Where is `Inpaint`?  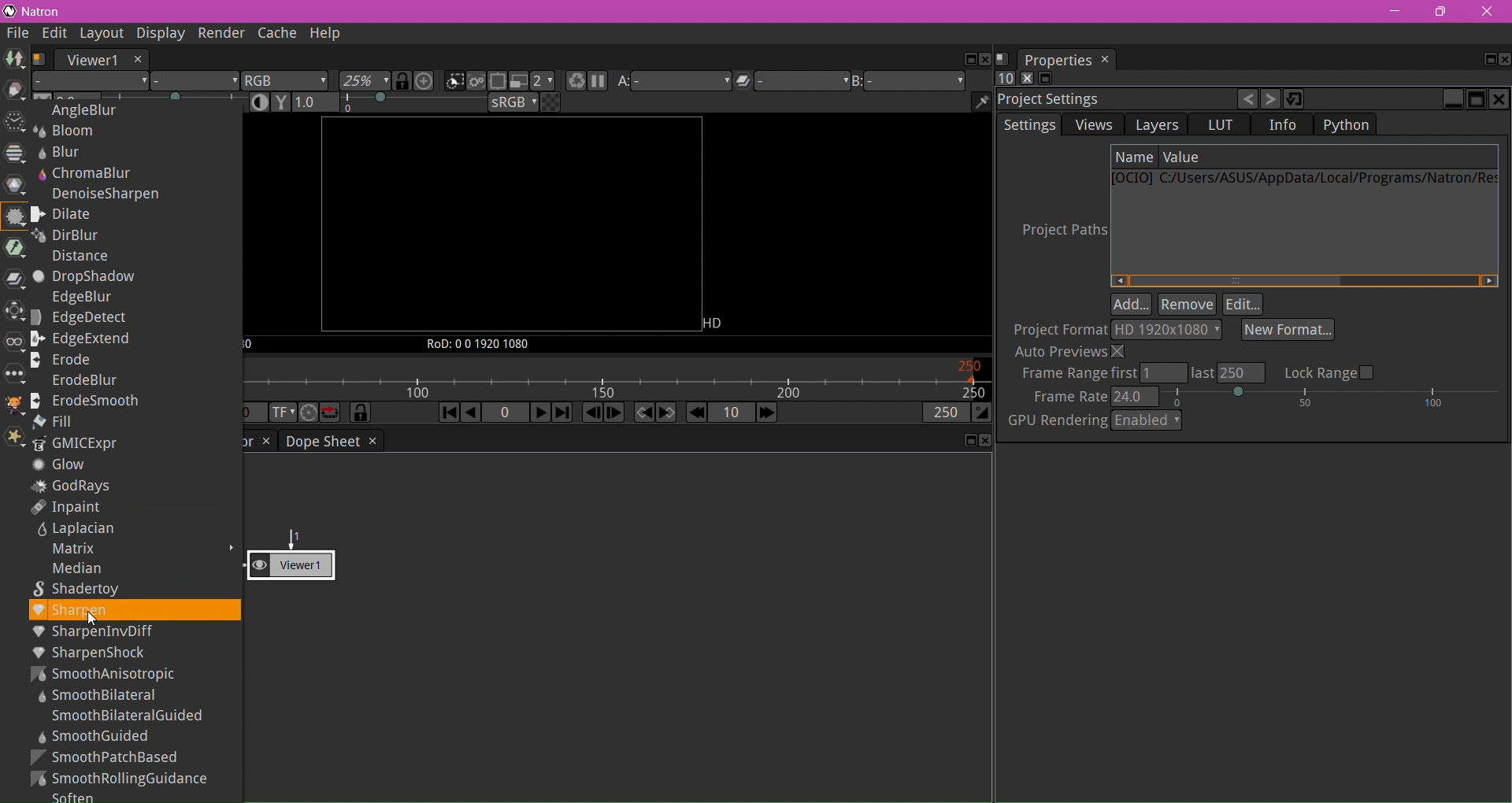 Inpaint is located at coordinates (66, 507).